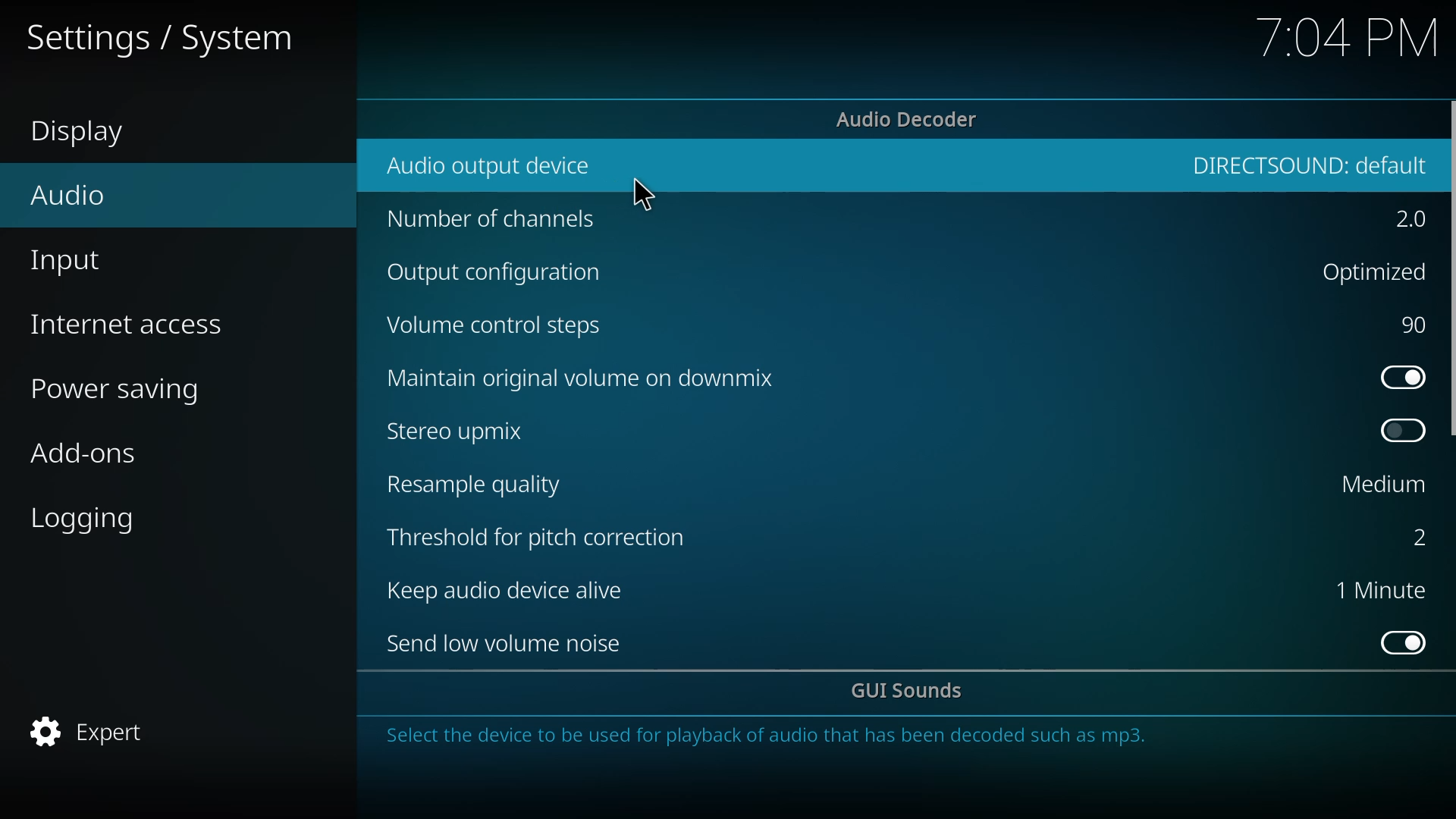 The height and width of the screenshot is (819, 1456). What do you see at coordinates (1311, 164) in the screenshot?
I see `default` at bounding box center [1311, 164].